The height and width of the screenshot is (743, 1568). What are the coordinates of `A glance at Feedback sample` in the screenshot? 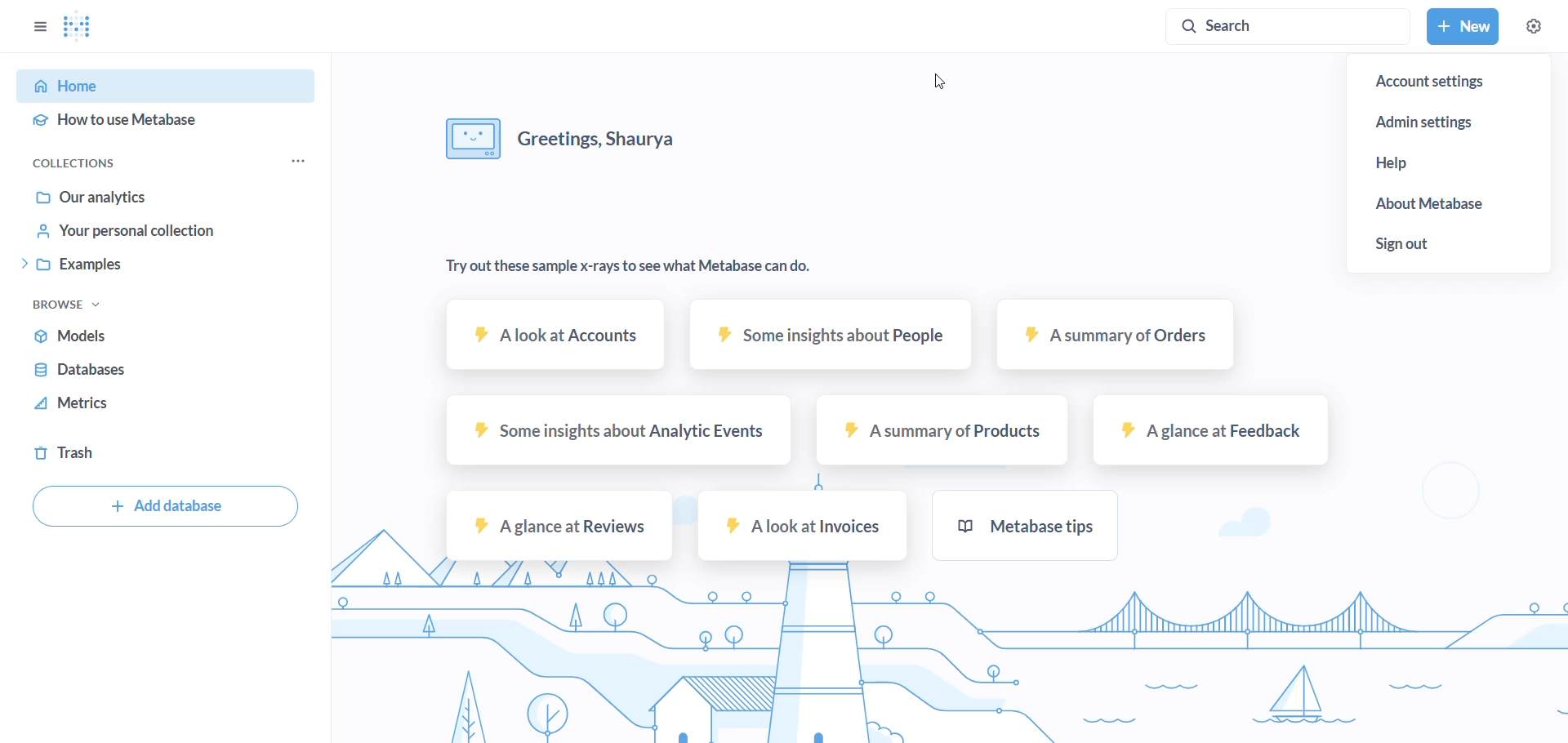 It's located at (1213, 429).